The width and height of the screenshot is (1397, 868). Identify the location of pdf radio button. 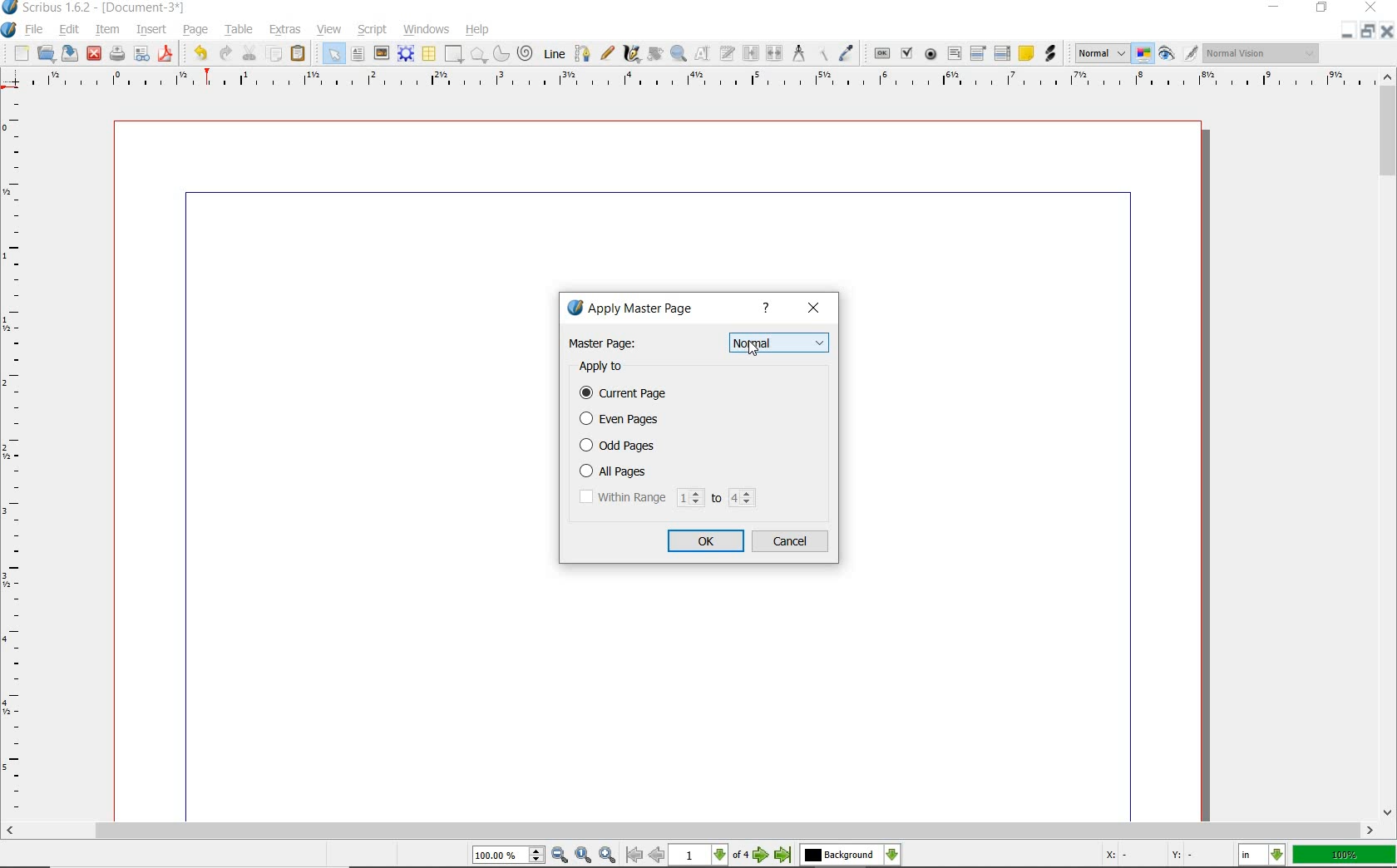
(931, 54).